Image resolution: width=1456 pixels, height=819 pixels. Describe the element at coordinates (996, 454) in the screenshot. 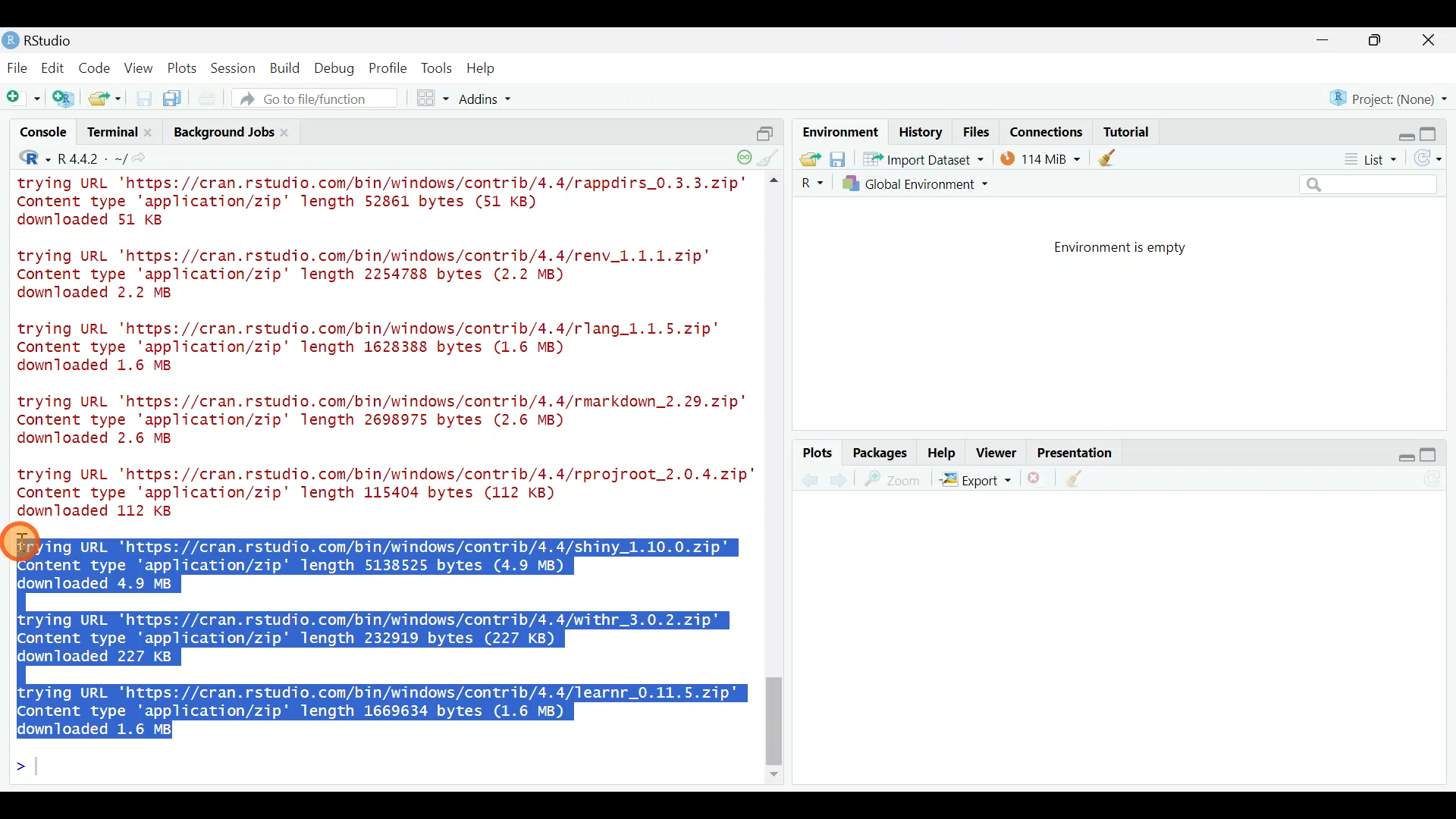

I see `Viewer` at that location.